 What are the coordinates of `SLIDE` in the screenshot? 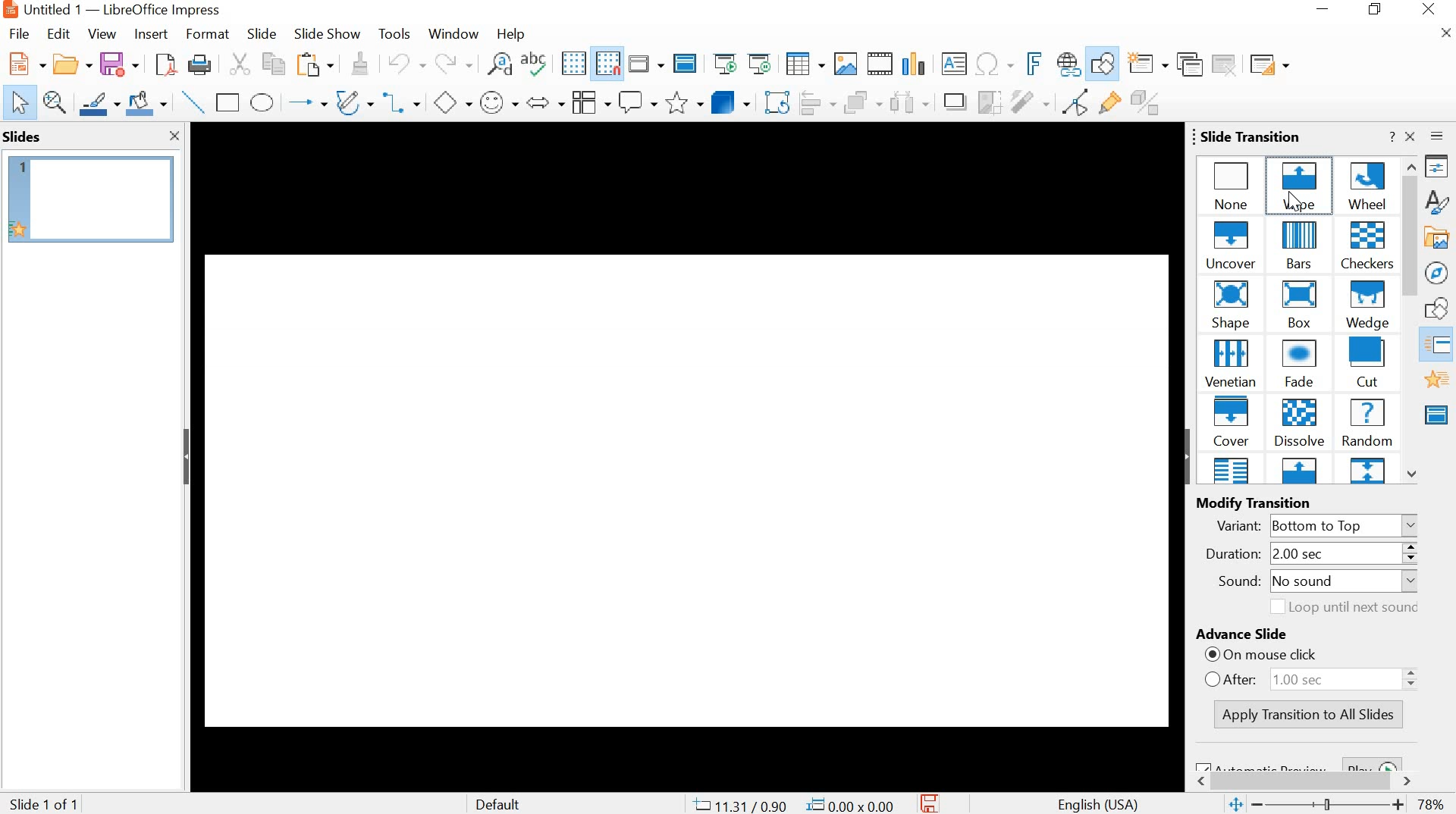 It's located at (260, 33).